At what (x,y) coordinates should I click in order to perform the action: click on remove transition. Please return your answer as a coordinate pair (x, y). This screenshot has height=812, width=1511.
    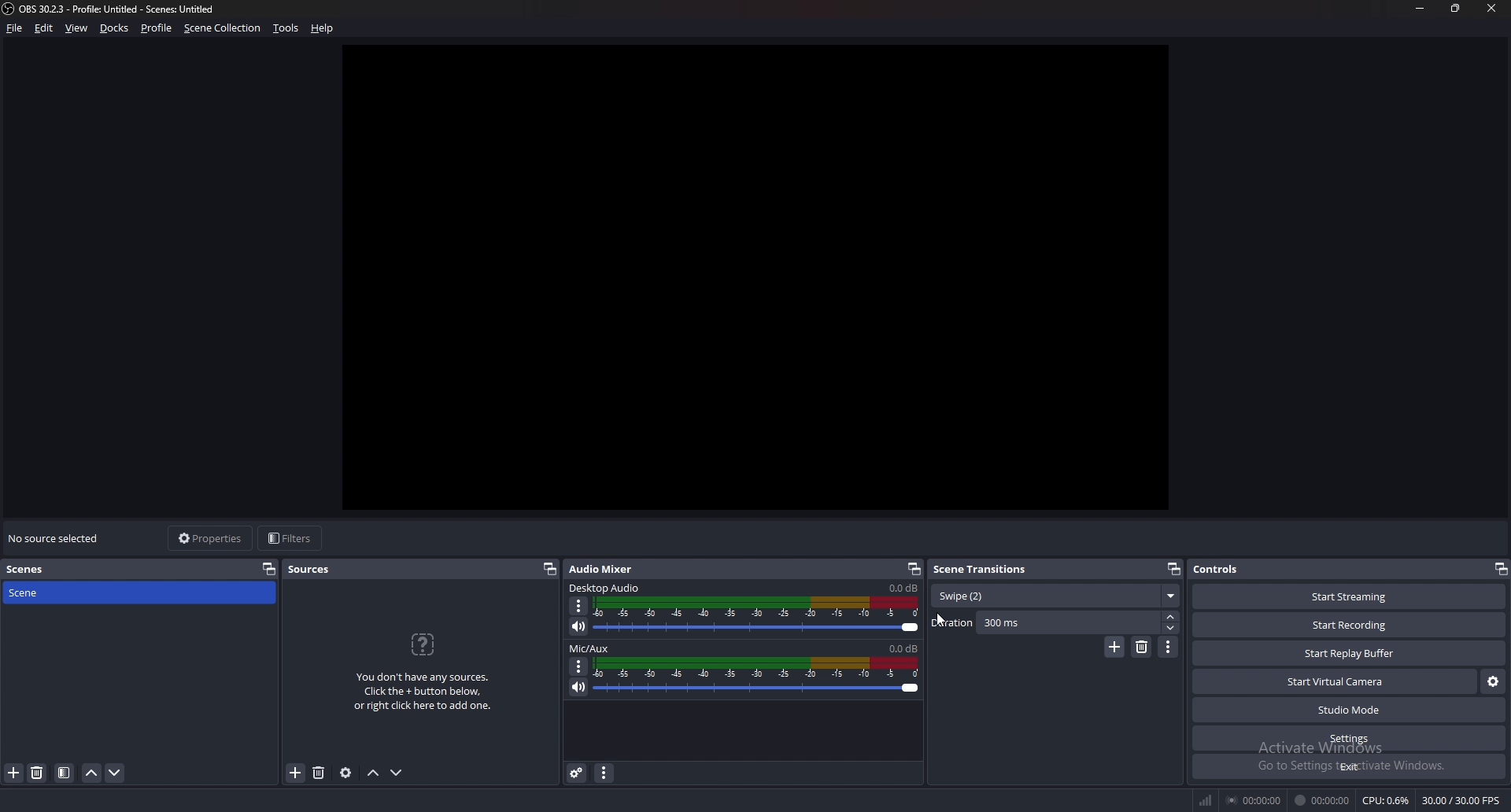
    Looking at the image, I should click on (1143, 647).